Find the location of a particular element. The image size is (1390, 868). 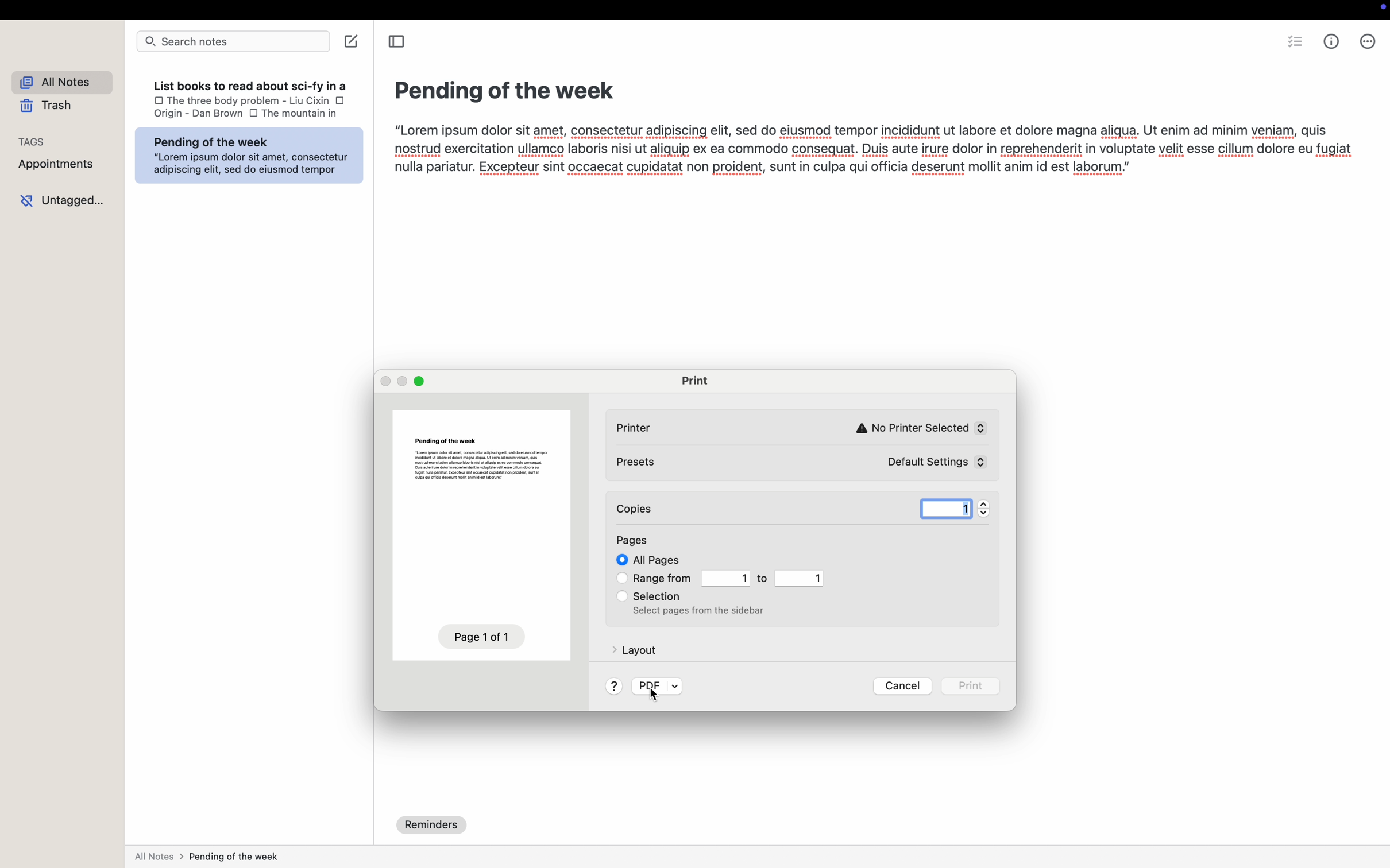

1 is located at coordinates (941, 506).